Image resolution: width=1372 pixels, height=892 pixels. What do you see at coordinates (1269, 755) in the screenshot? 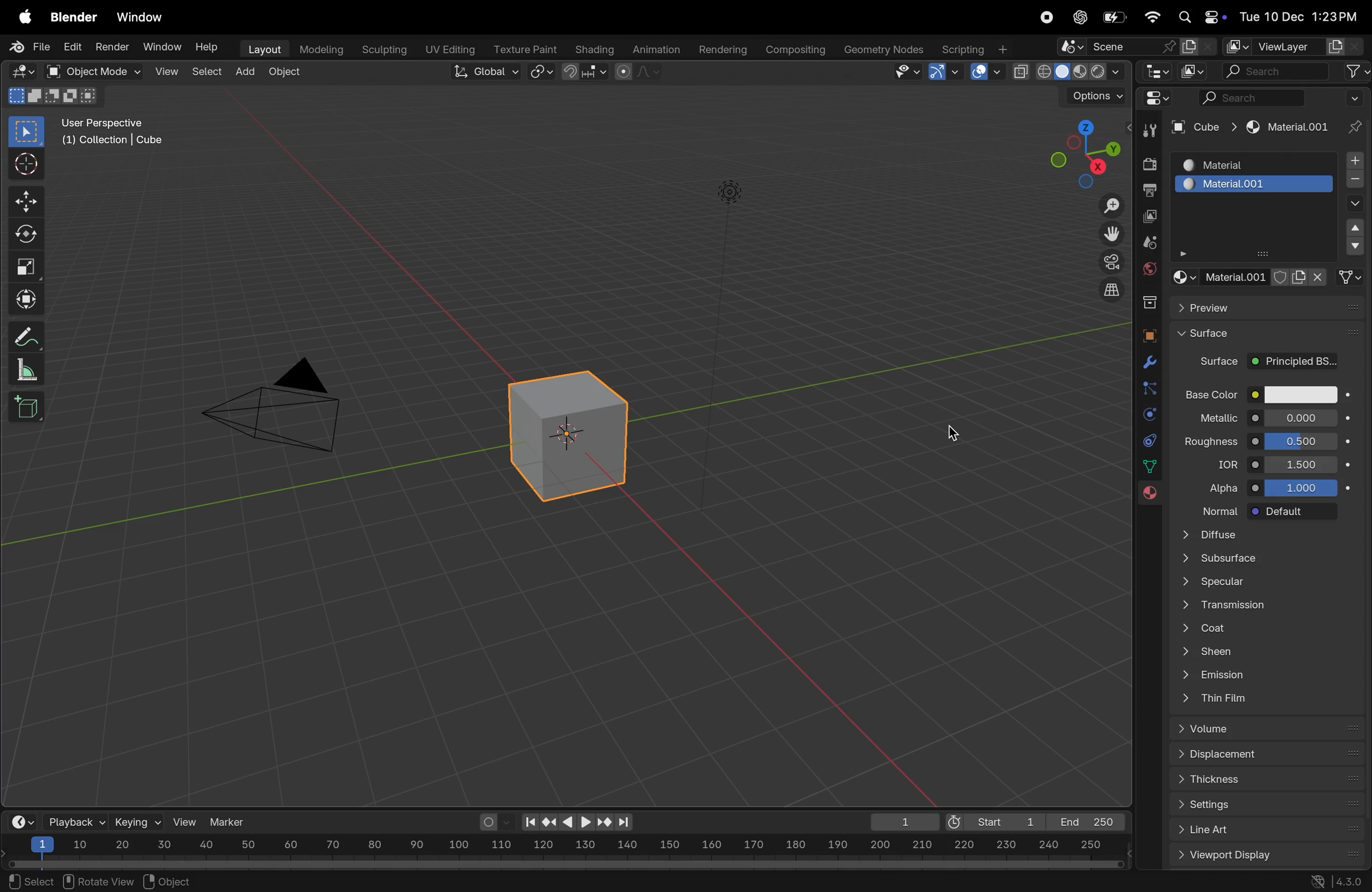
I see `displacement` at bounding box center [1269, 755].